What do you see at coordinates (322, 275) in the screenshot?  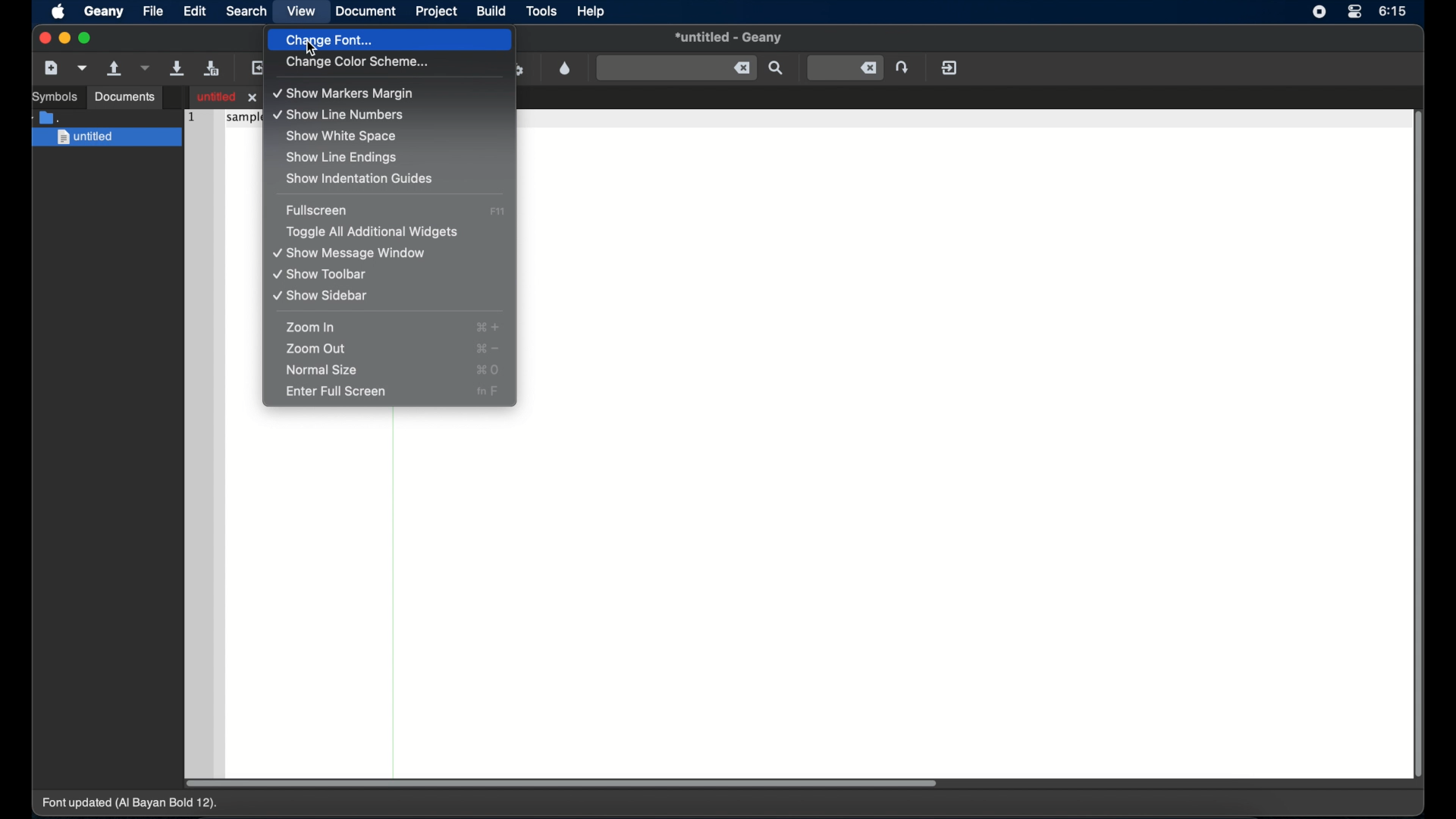 I see `show toolbar` at bounding box center [322, 275].